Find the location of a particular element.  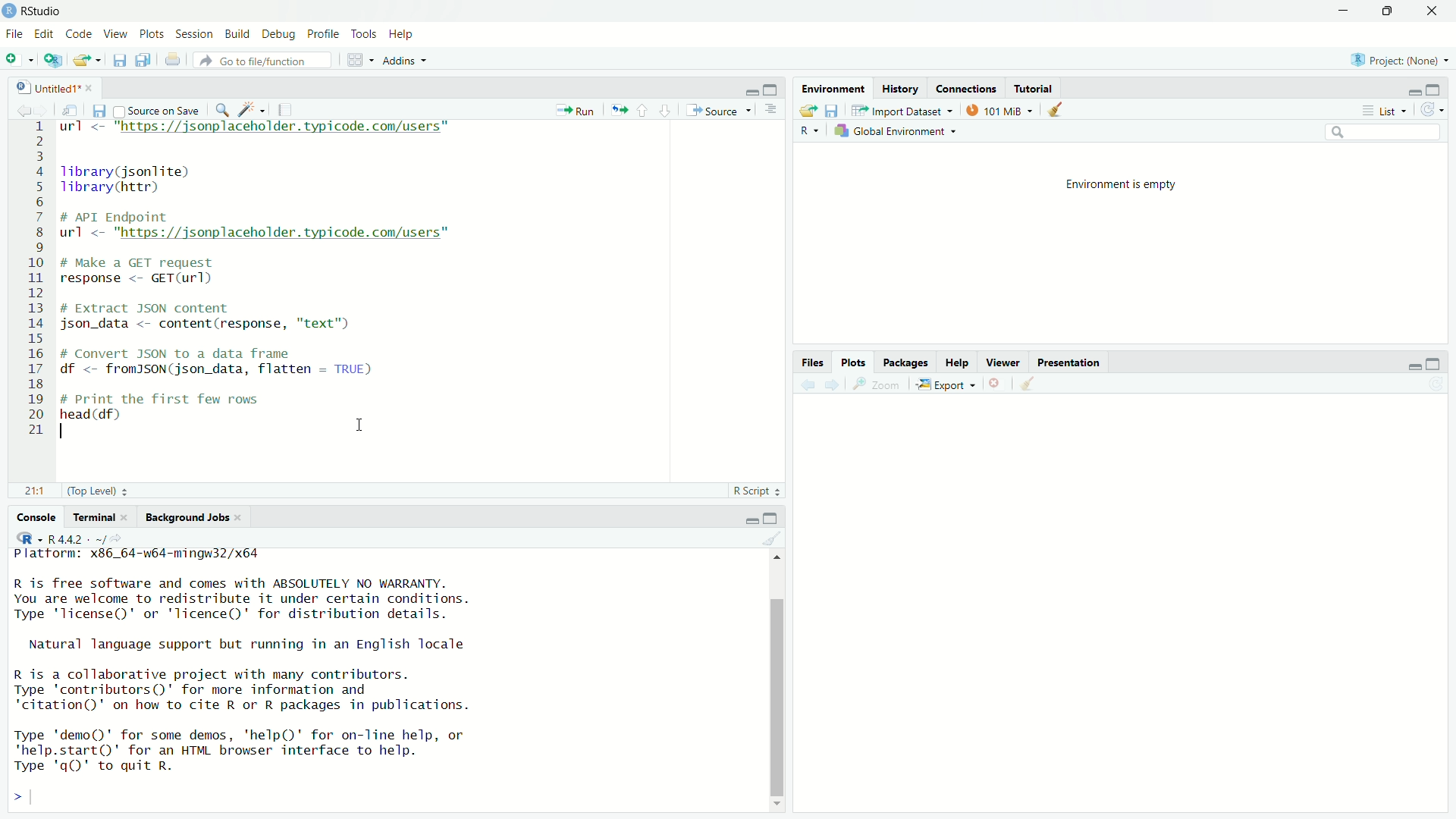

Profile is located at coordinates (322, 34).